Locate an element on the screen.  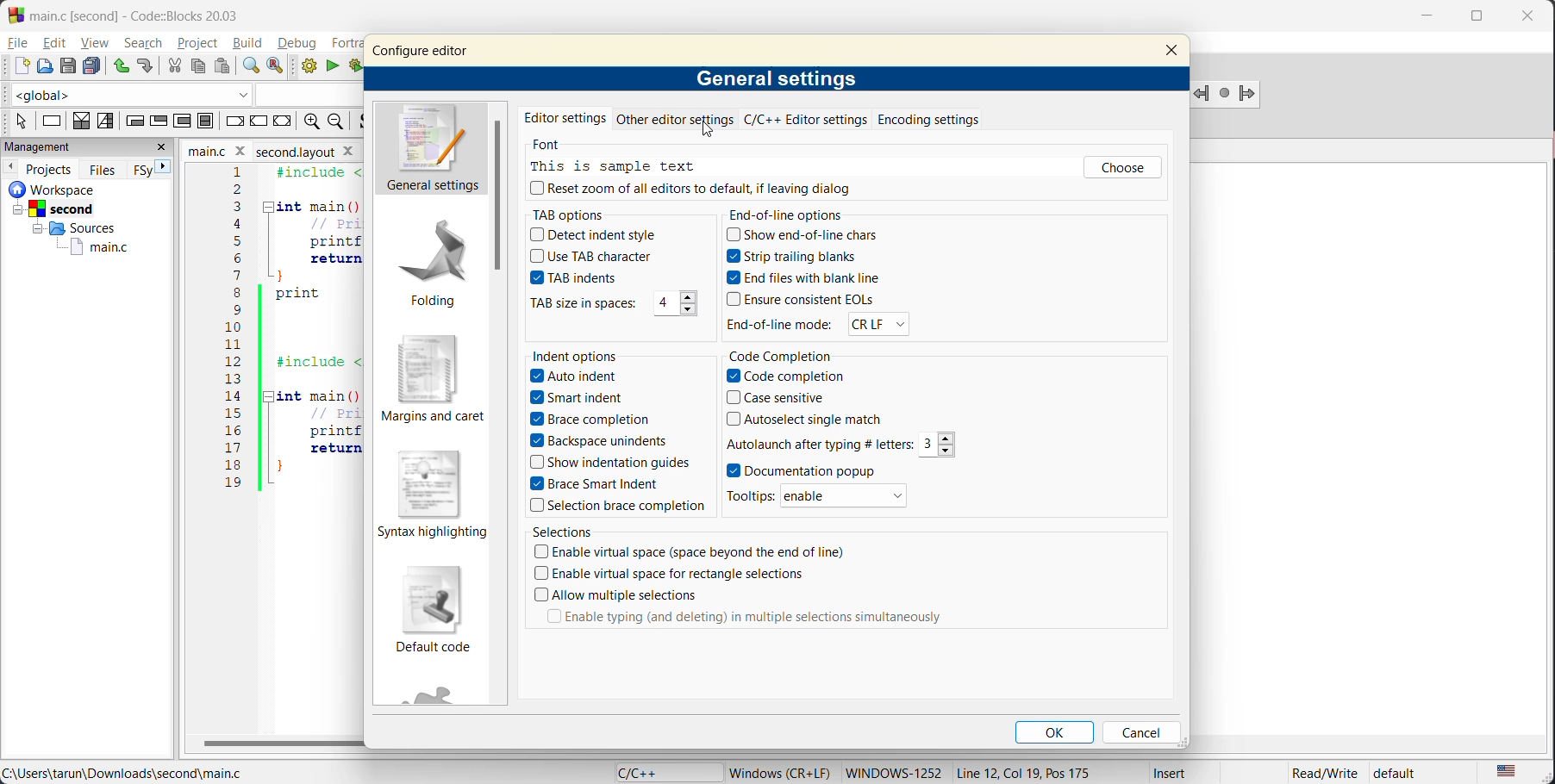
reset zoom of all editors to default is located at coordinates (685, 188).